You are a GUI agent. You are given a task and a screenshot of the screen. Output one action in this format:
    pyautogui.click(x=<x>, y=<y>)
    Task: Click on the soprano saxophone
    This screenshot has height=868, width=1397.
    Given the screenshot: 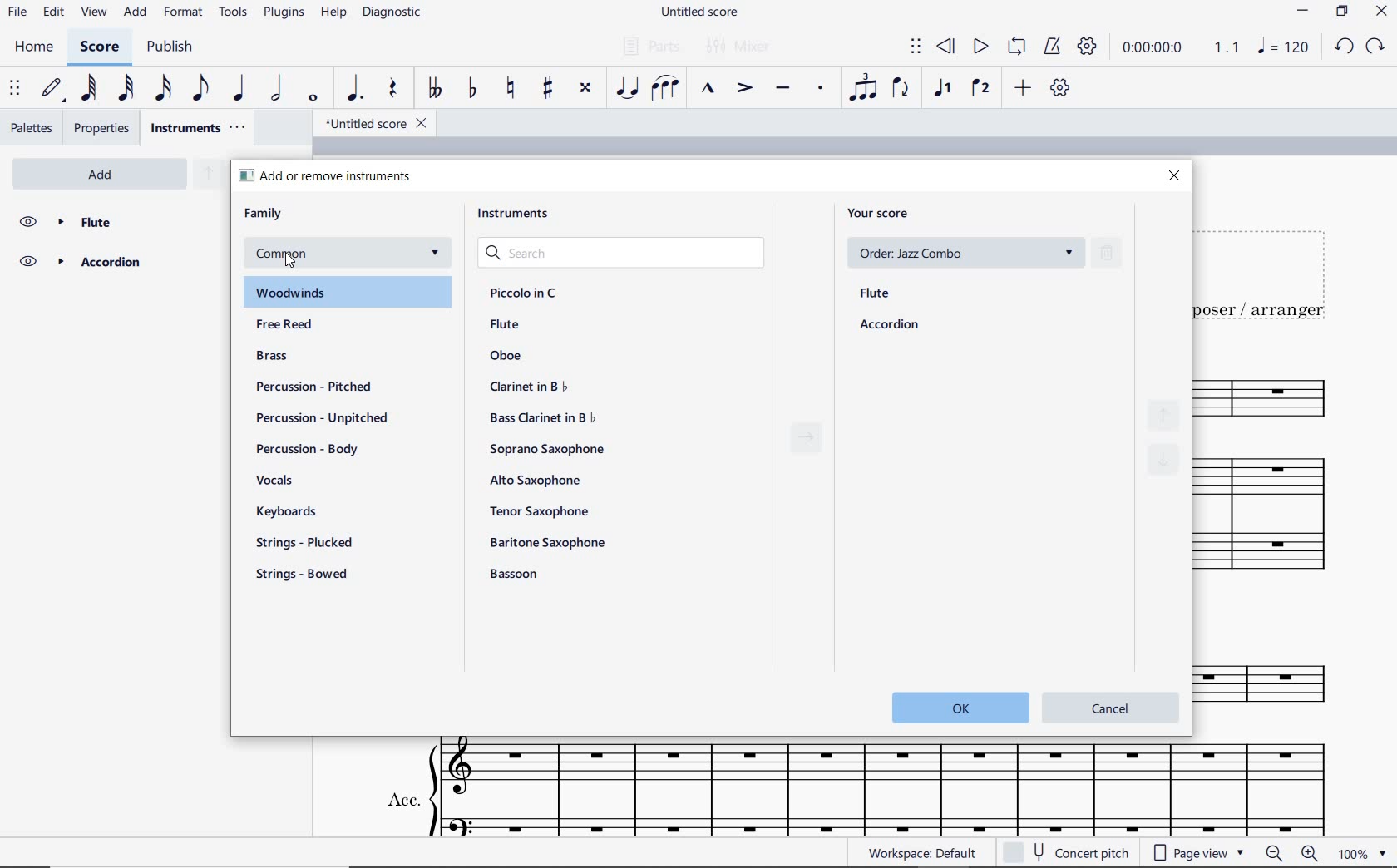 What is the action you would take?
    pyautogui.click(x=548, y=449)
    